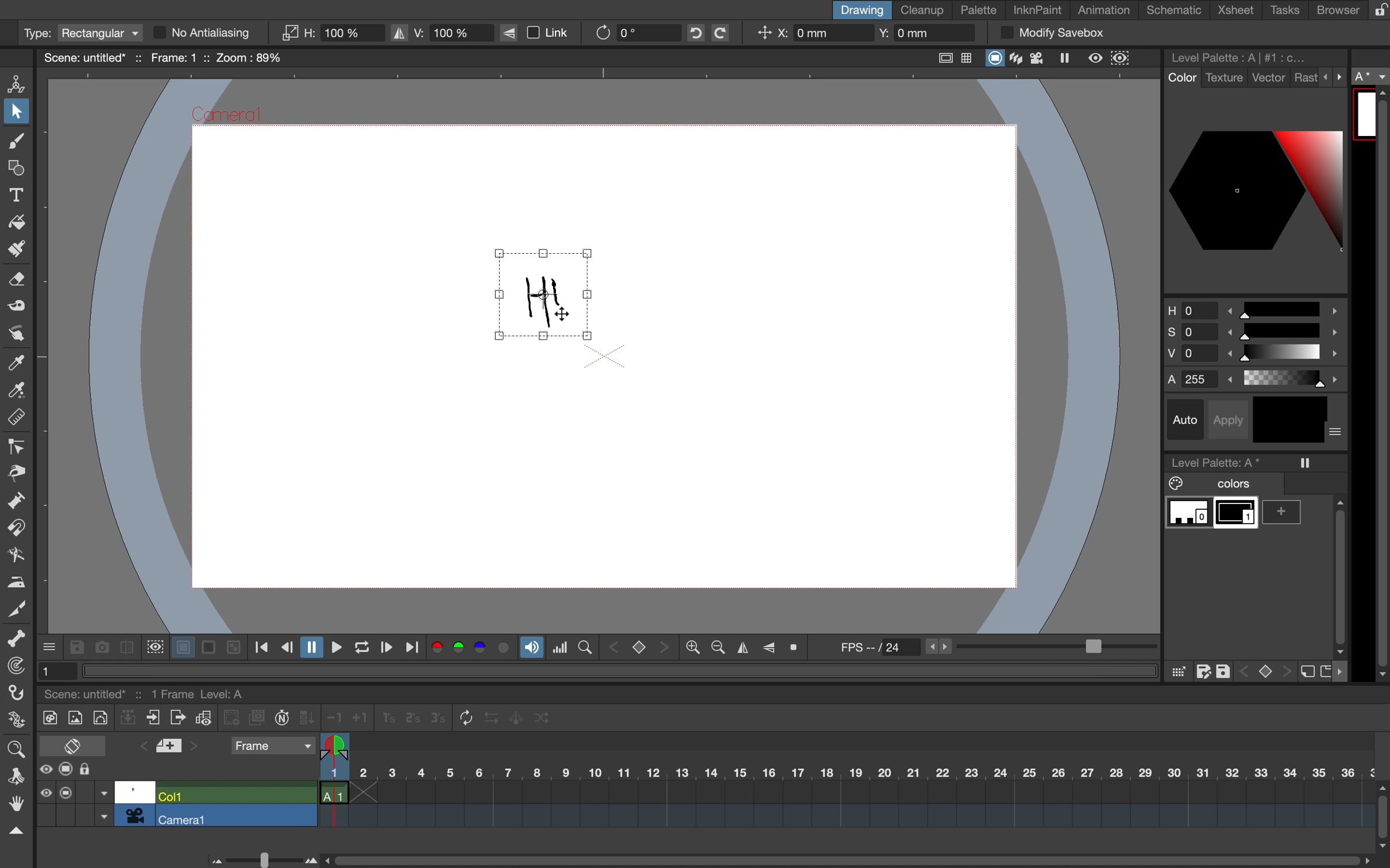 The image size is (1390, 868). What do you see at coordinates (769, 646) in the screenshot?
I see `flip vertically` at bounding box center [769, 646].